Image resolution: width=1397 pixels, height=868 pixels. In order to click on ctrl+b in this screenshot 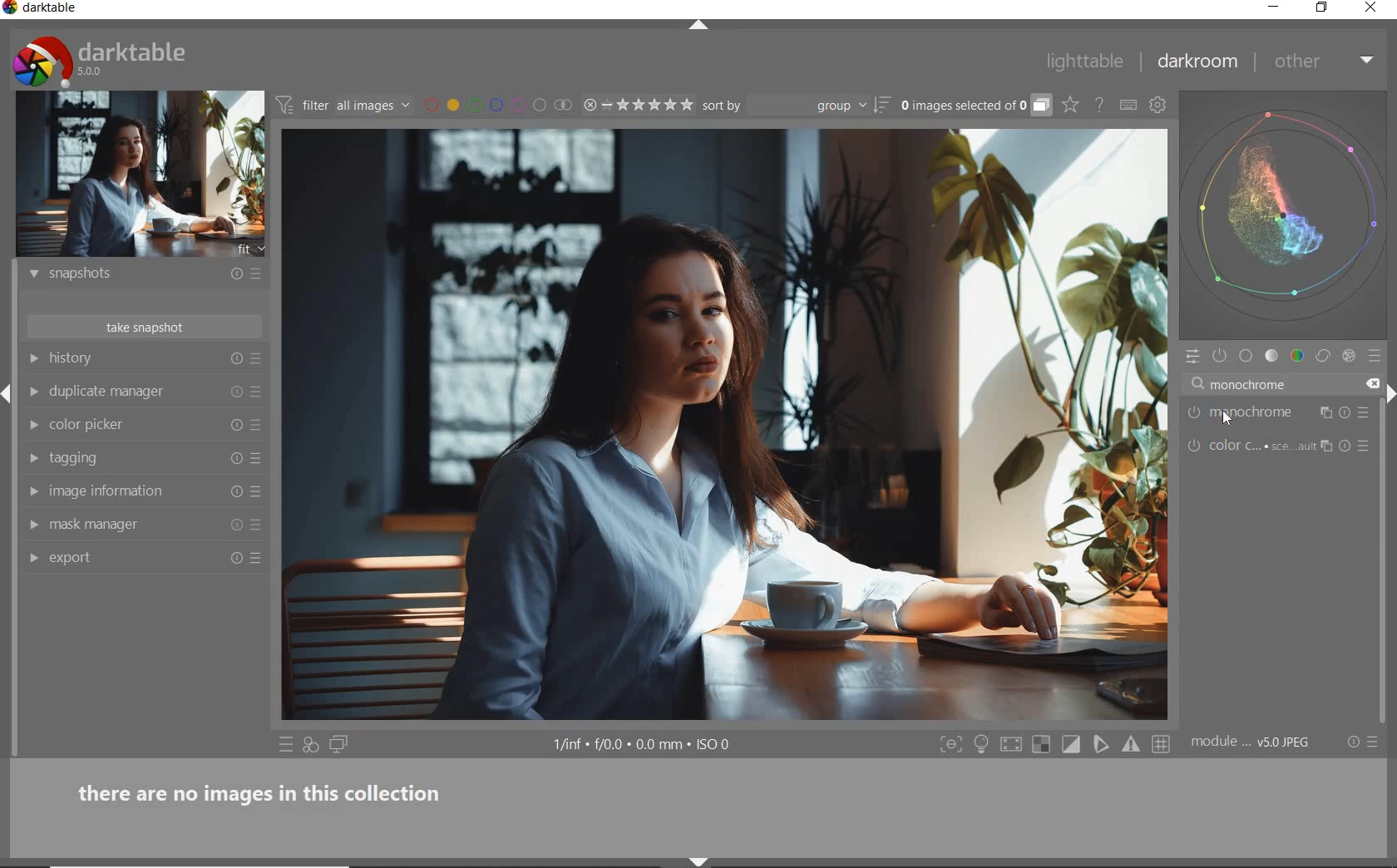, I will do `click(983, 744)`.